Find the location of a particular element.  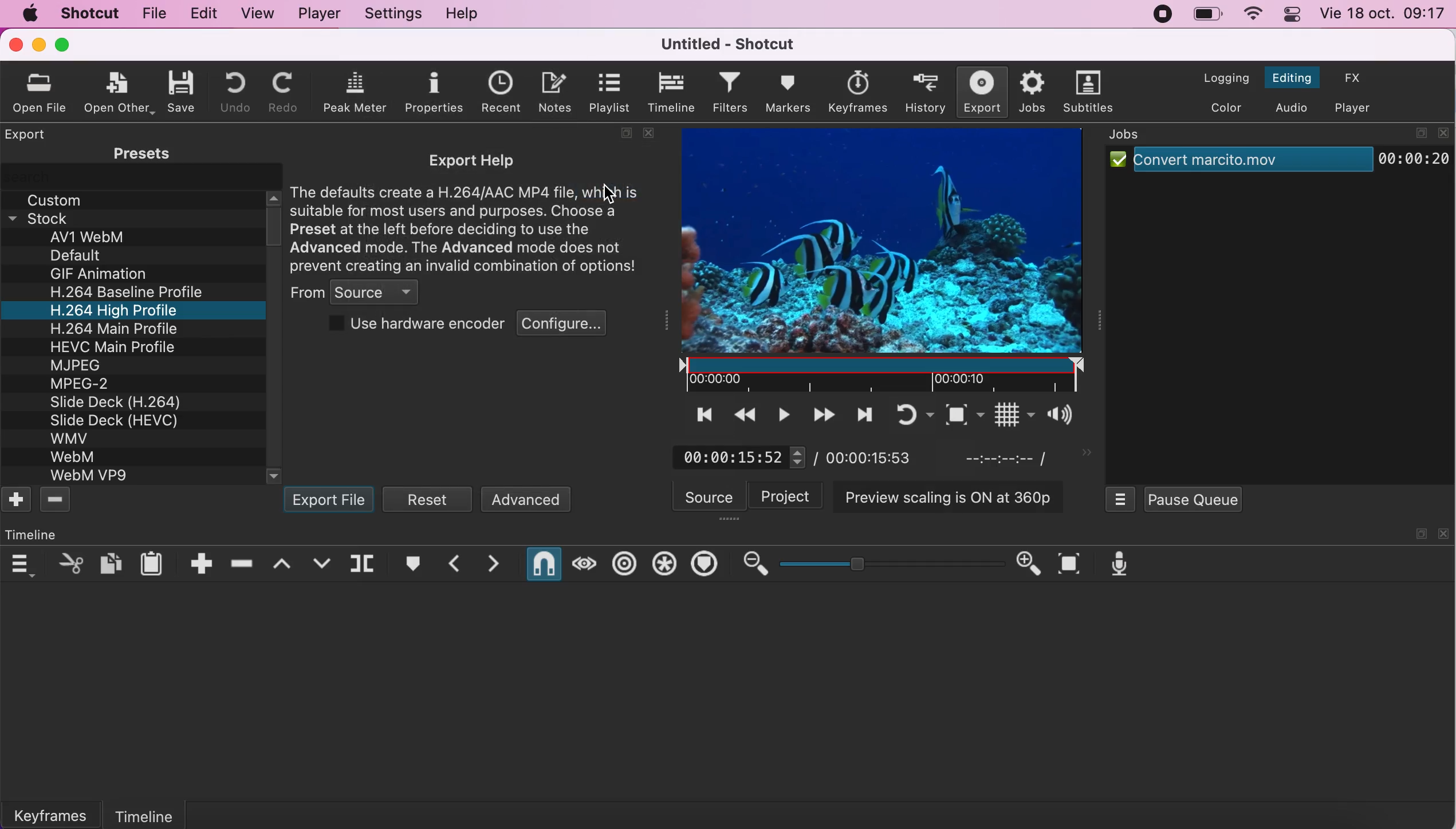

zoom timeline to fit is located at coordinates (1068, 564).